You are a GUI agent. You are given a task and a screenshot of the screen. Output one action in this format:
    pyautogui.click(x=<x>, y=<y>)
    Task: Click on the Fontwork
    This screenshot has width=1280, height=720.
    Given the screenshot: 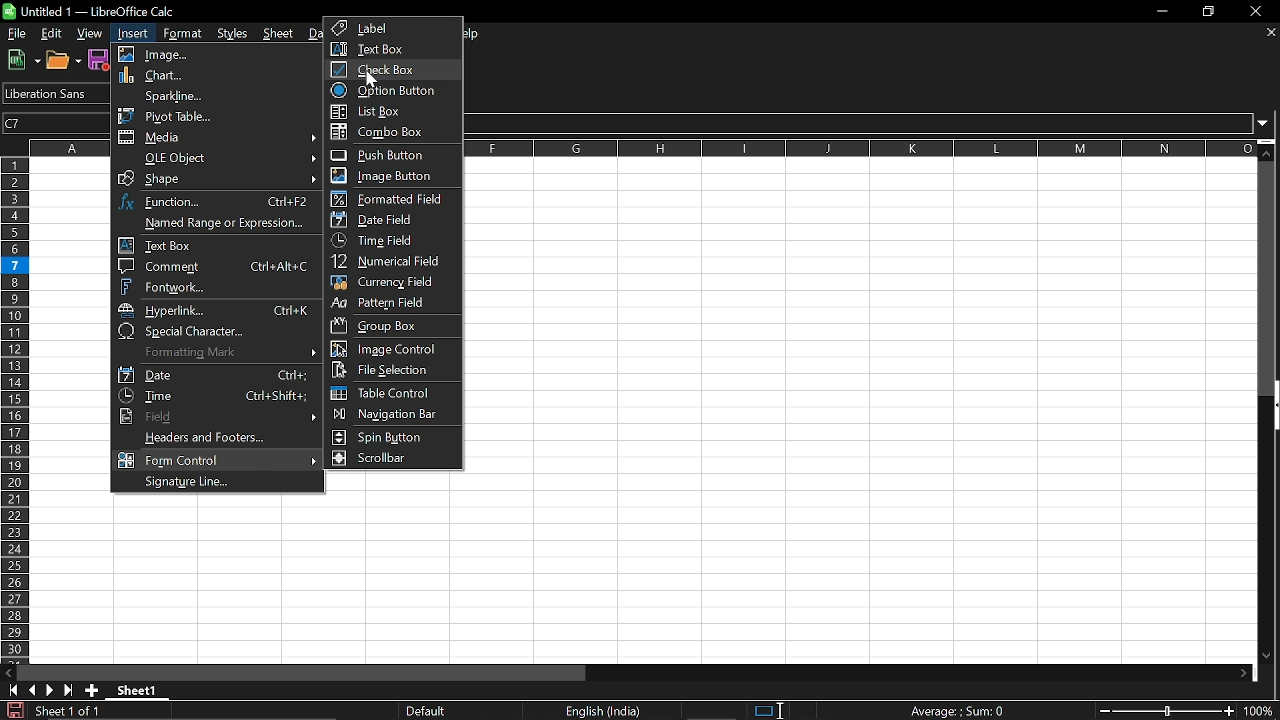 What is the action you would take?
    pyautogui.click(x=216, y=287)
    